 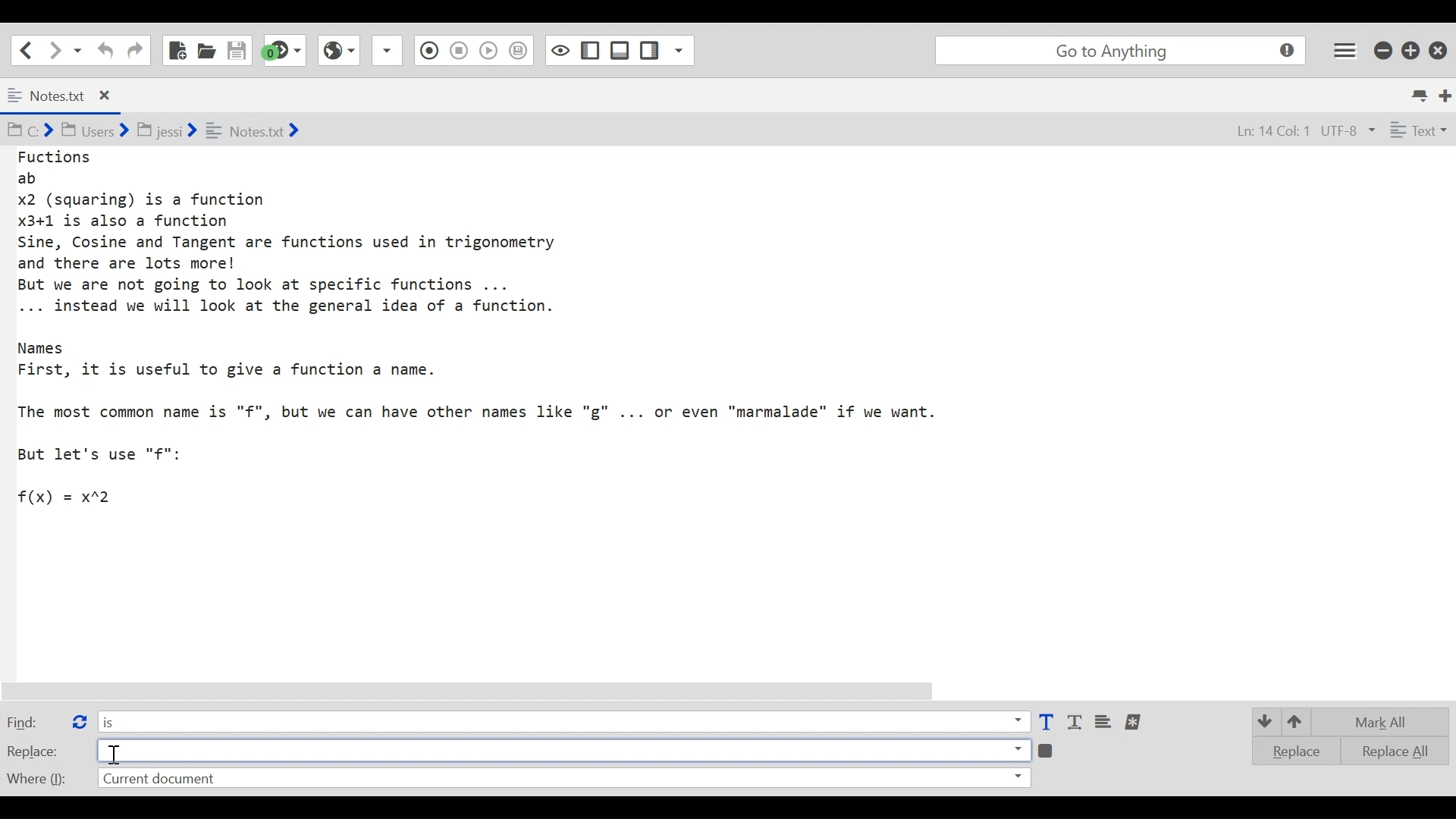 What do you see at coordinates (1346, 49) in the screenshot?
I see `Application menu` at bounding box center [1346, 49].